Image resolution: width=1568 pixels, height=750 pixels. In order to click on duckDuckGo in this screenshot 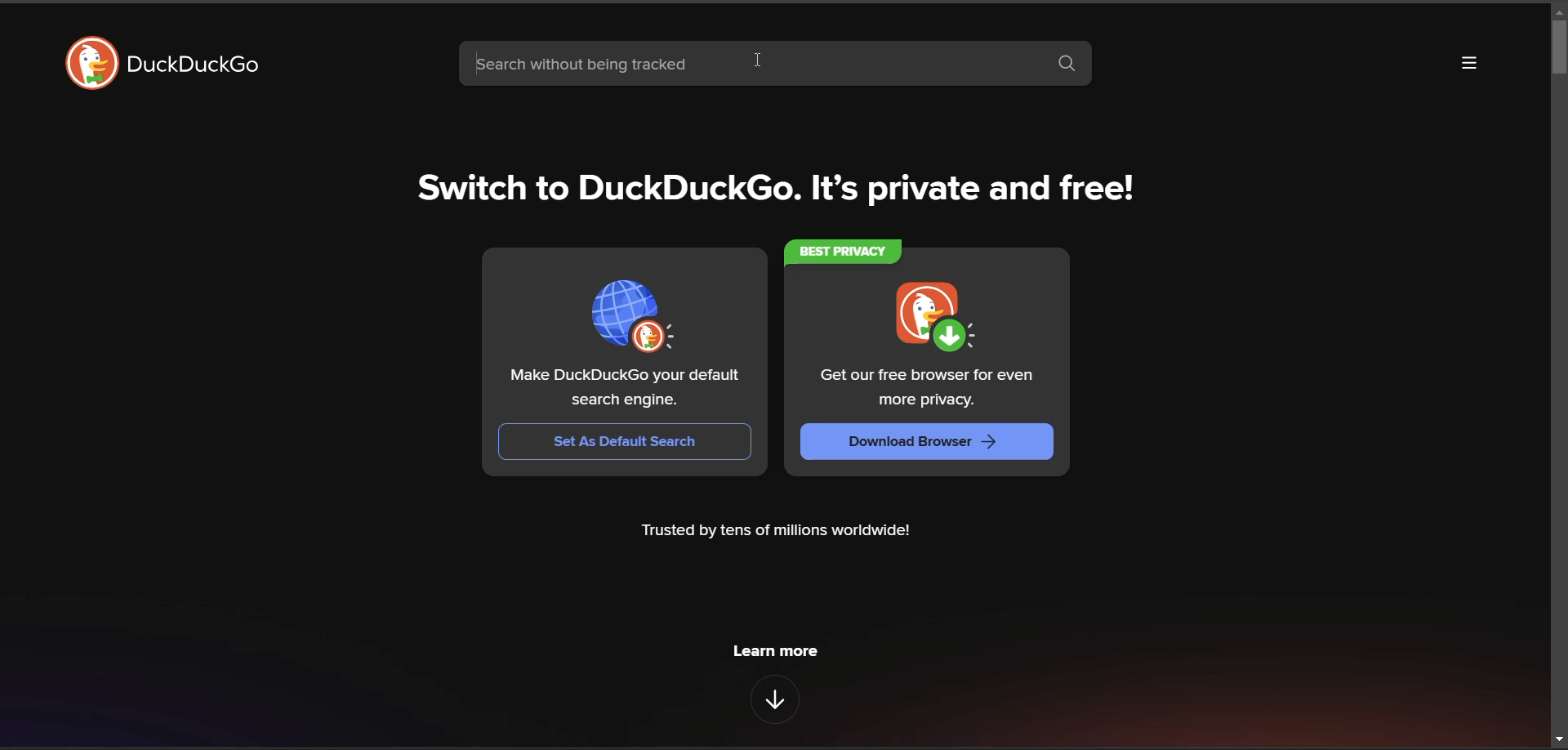, I will do `click(204, 71)`.